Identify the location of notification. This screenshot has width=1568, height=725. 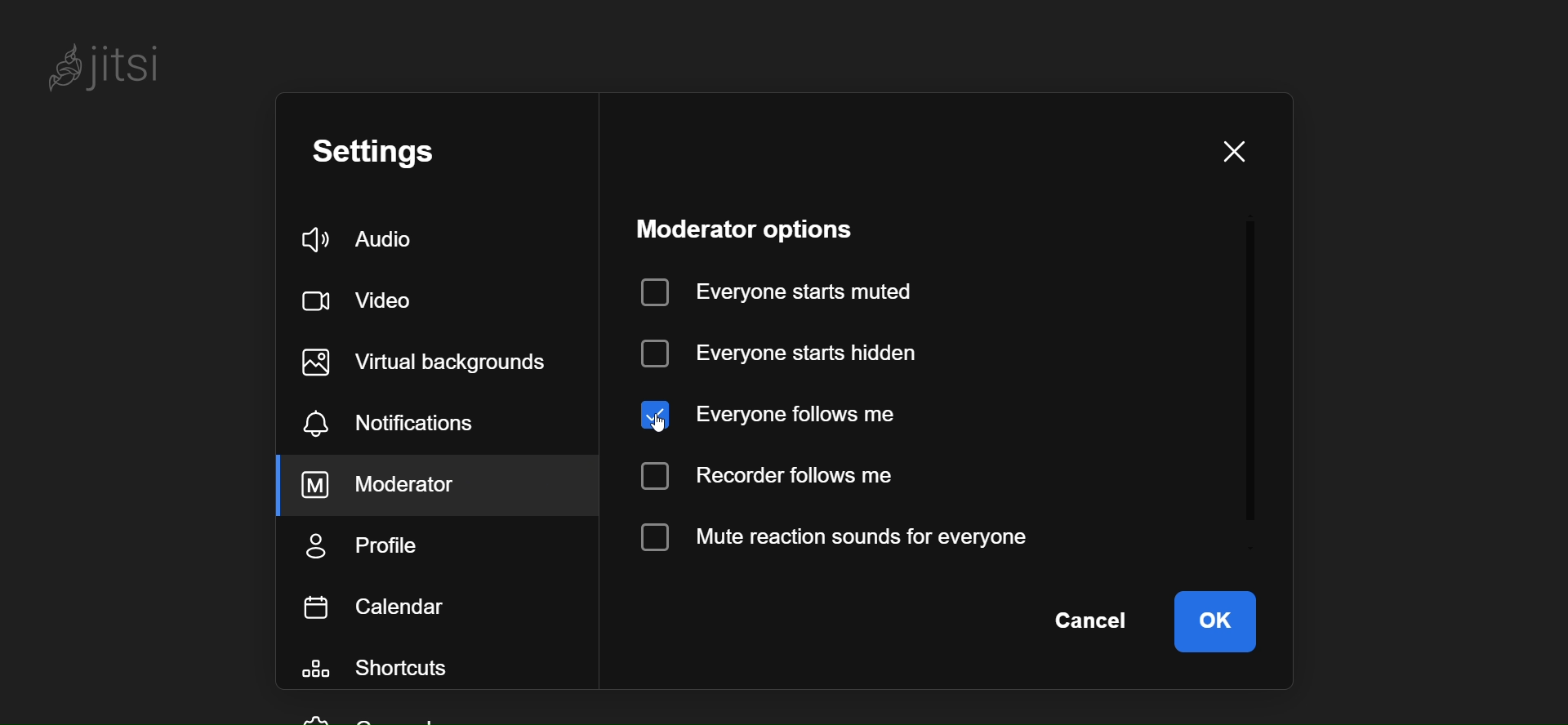
(390, 426).